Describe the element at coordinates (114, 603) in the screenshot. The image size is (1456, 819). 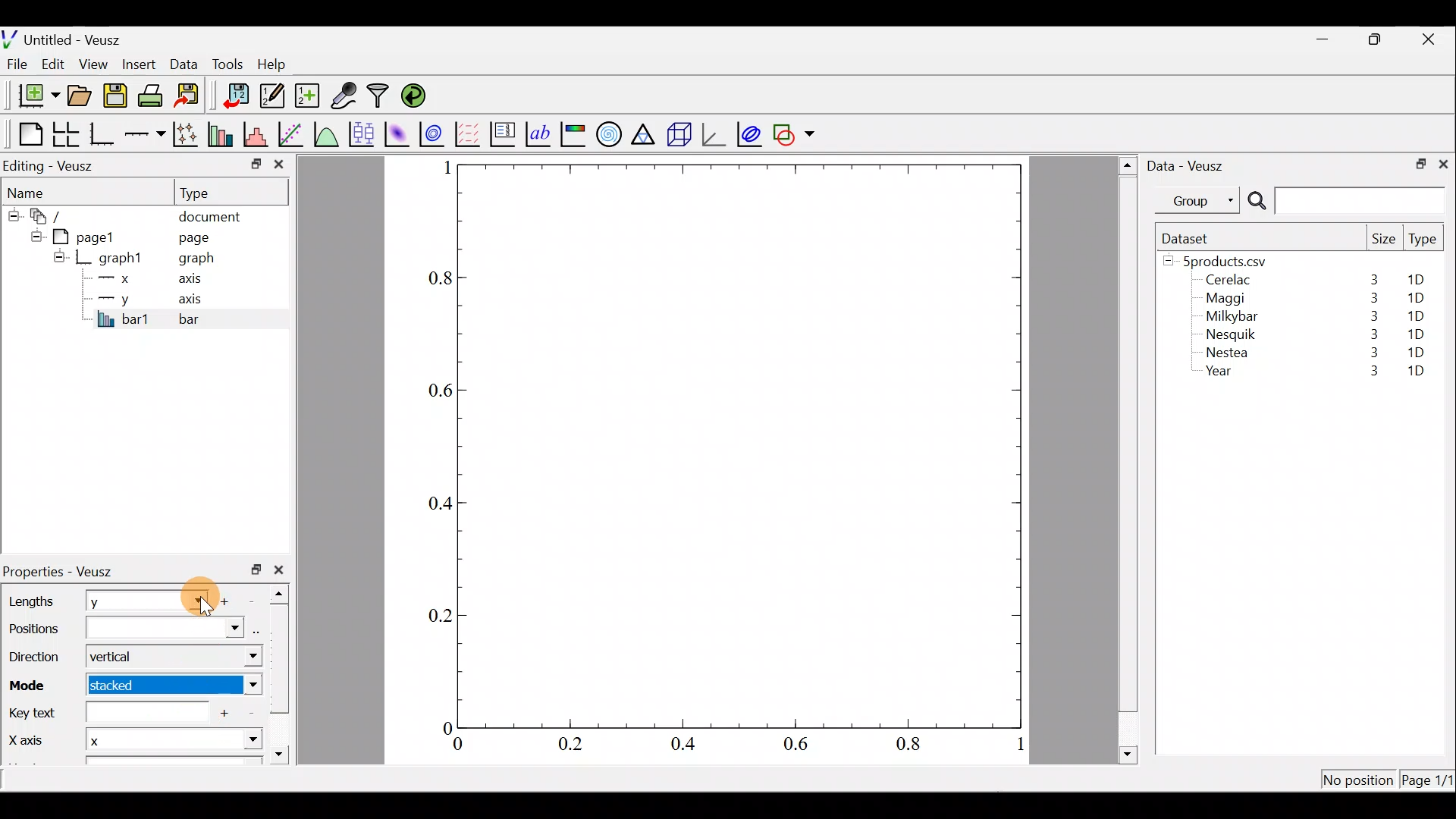
I see `y` at that location.